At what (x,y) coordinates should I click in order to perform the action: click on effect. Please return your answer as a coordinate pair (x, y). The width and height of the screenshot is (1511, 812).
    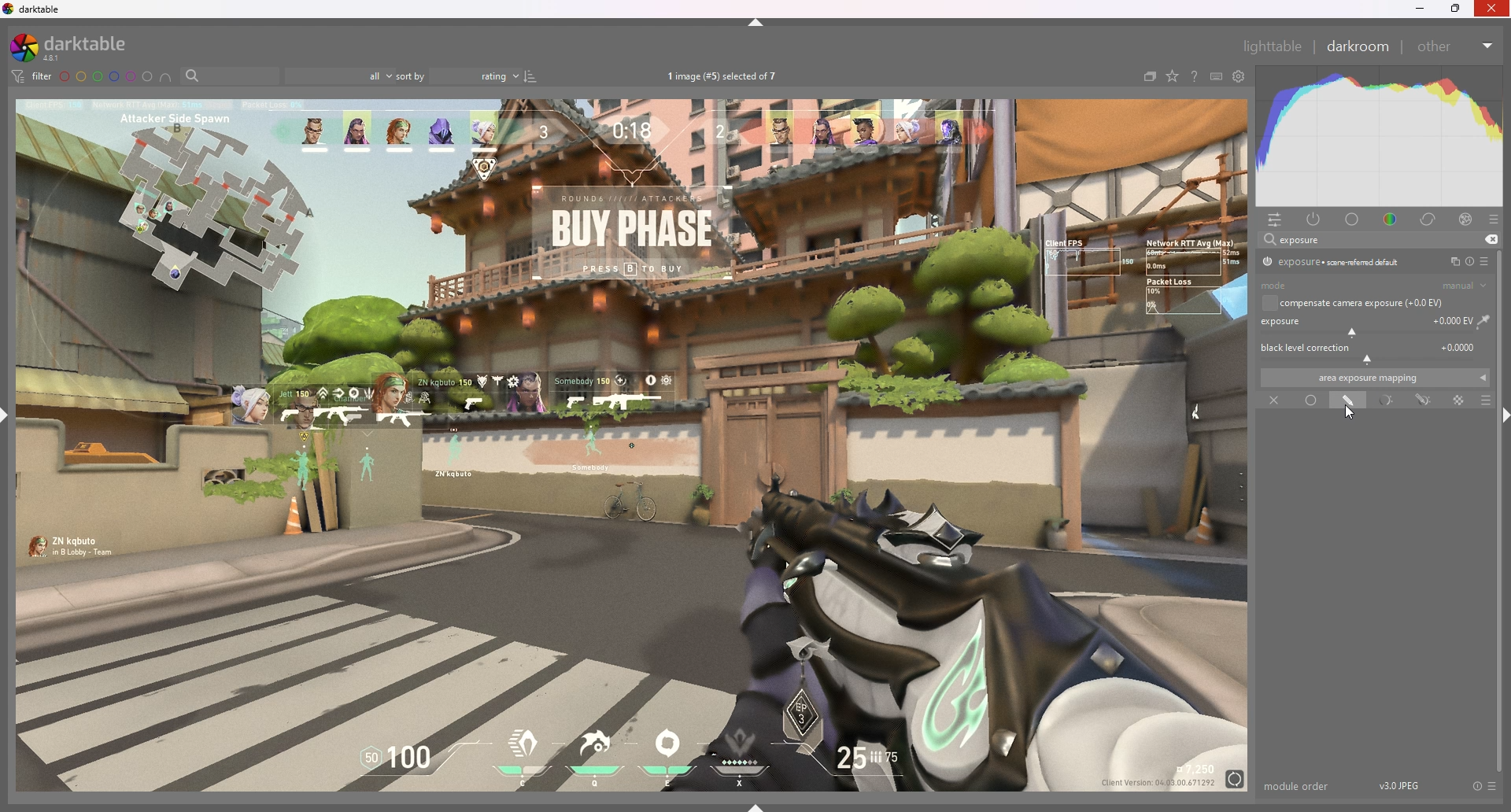
    Looking at the image, I should click on (1466, 220).